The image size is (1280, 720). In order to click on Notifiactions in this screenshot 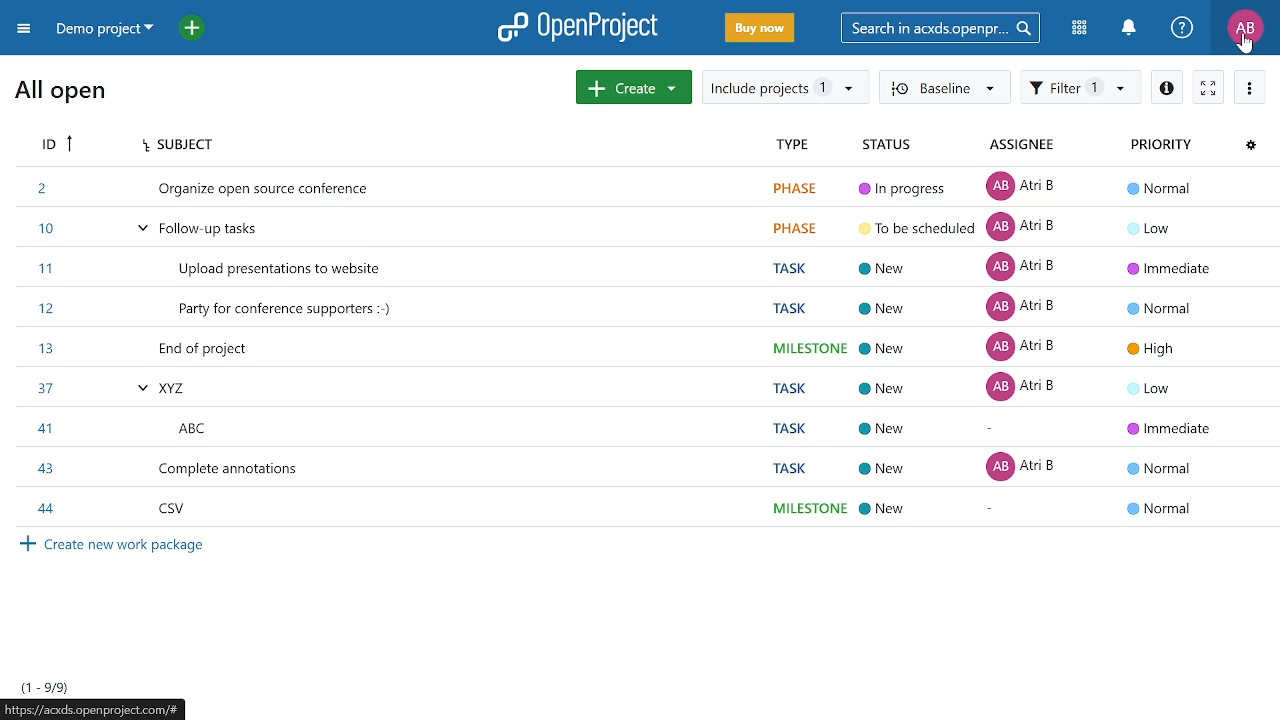, I will do `click(1134, 29)`.